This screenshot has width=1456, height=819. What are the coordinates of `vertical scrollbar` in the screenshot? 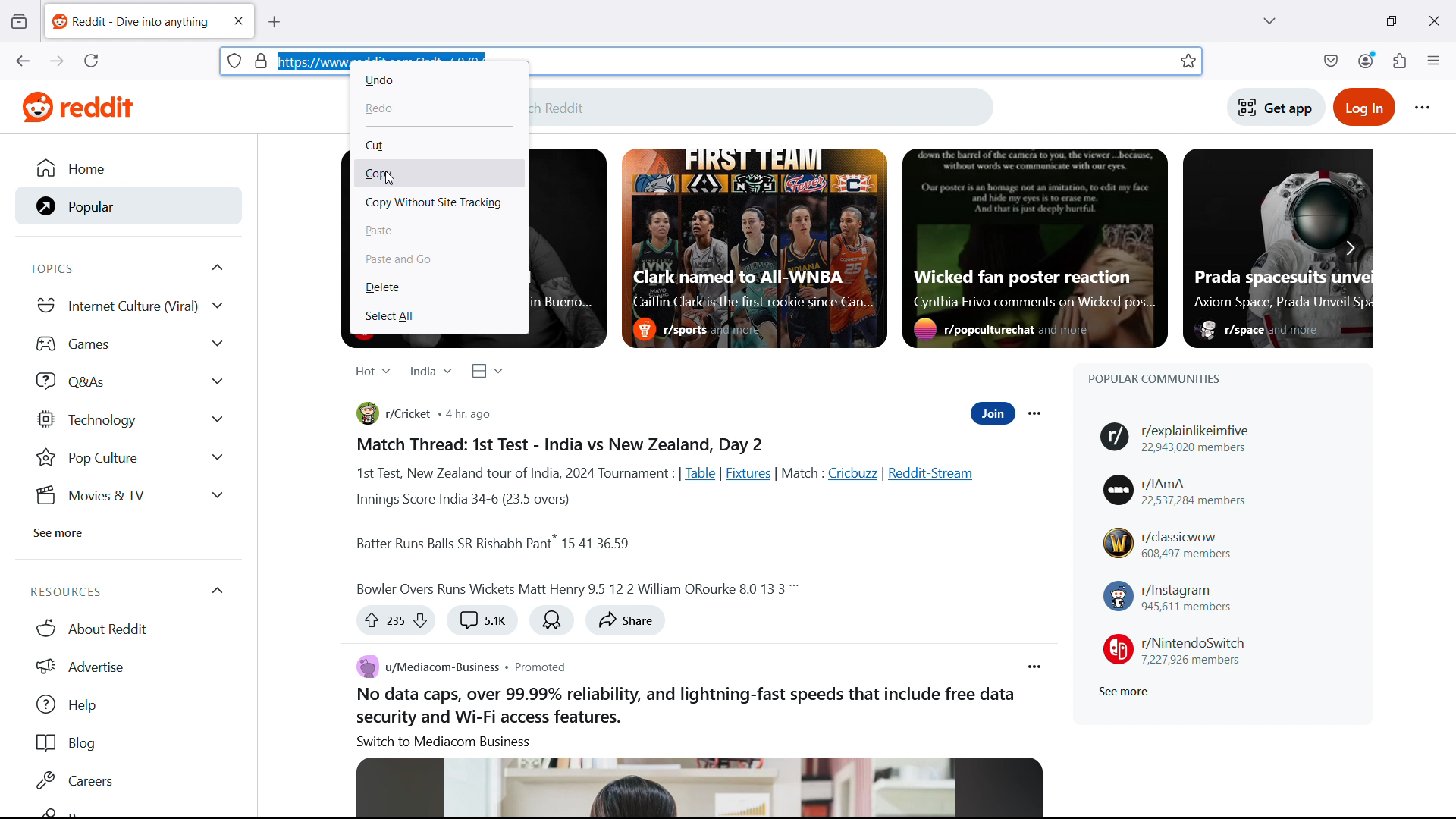 It's located at (1453, 187).